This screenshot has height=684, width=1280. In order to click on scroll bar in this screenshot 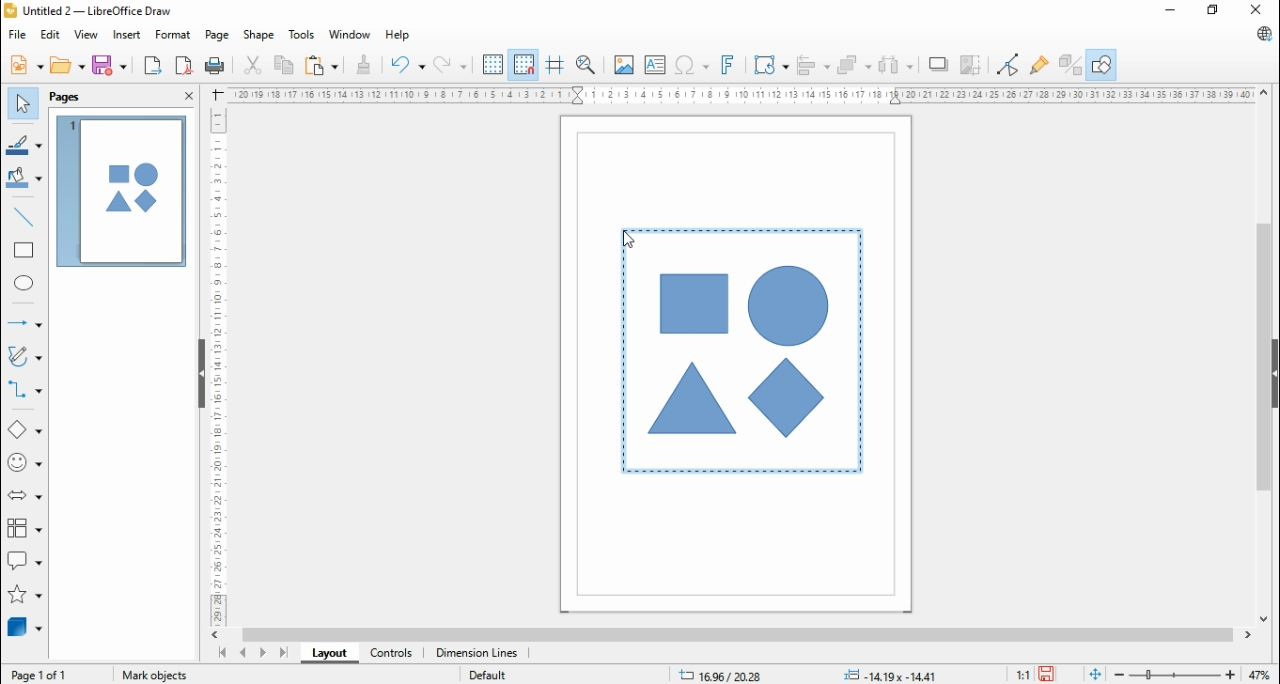, I will do `click(736, 635)`.